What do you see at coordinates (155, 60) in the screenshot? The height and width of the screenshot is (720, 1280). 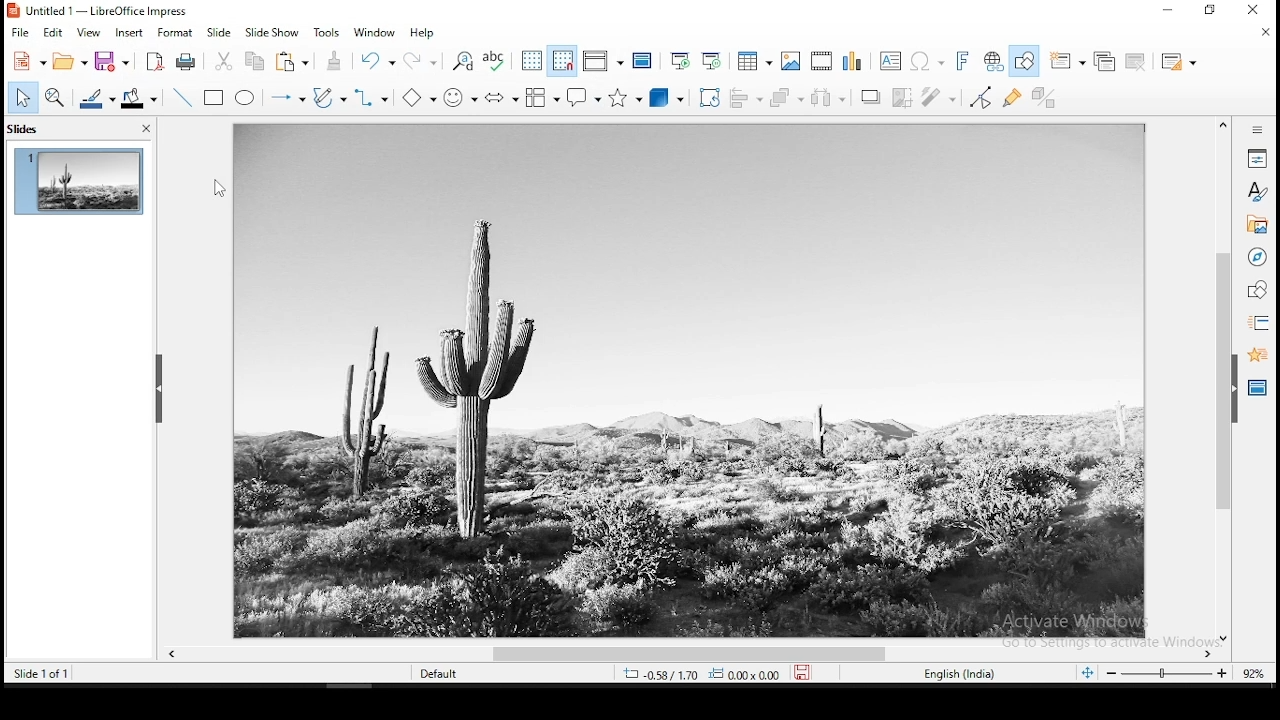 I see `acrobat as pdf` at bounding box center [155, 60].